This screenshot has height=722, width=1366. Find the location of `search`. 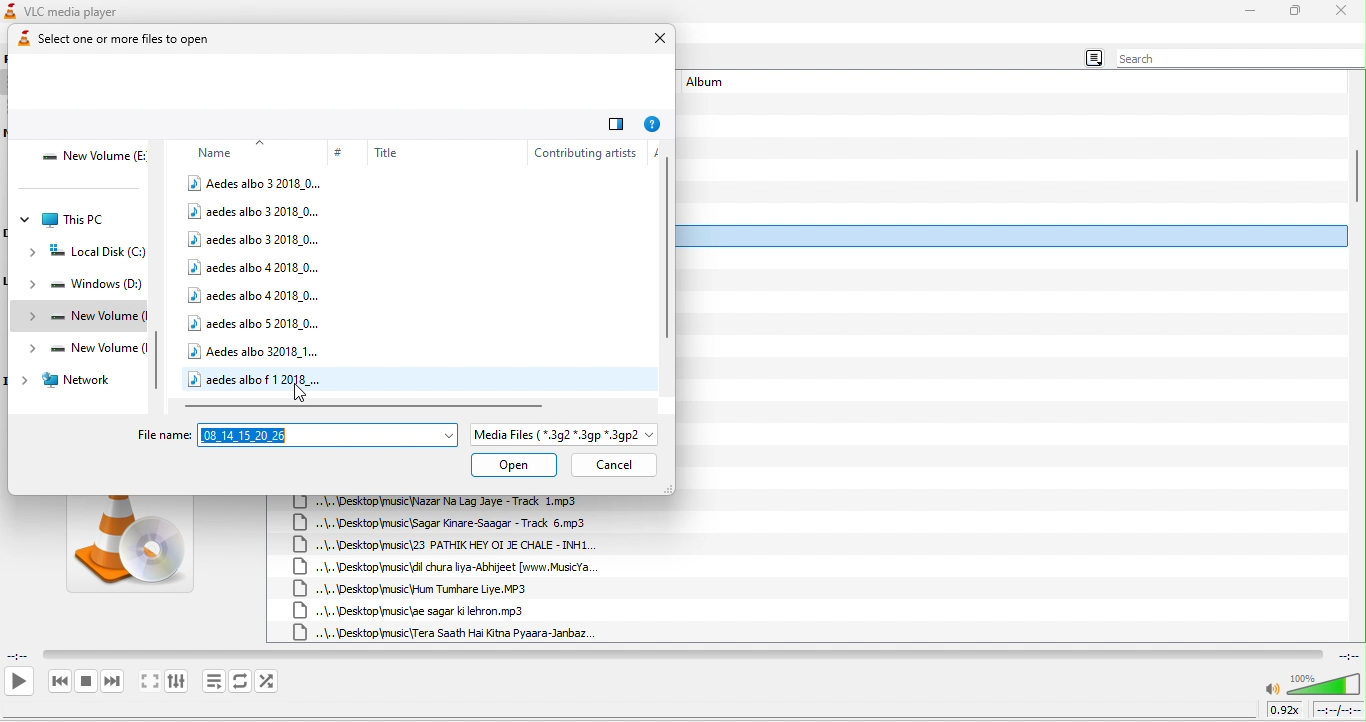

search is located at coordinates (1236, 59).